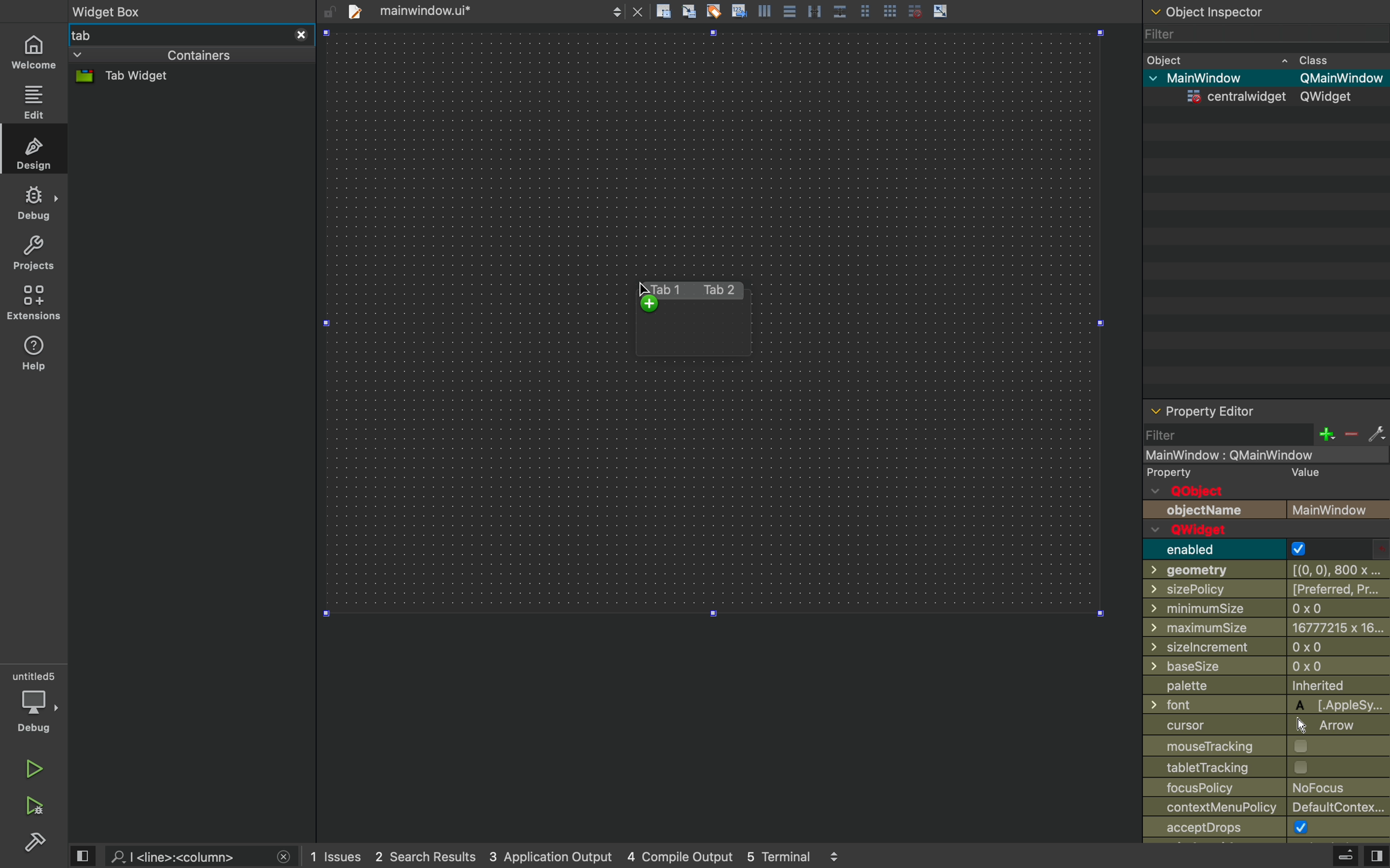  I want to click on debug, so click(37, 702).